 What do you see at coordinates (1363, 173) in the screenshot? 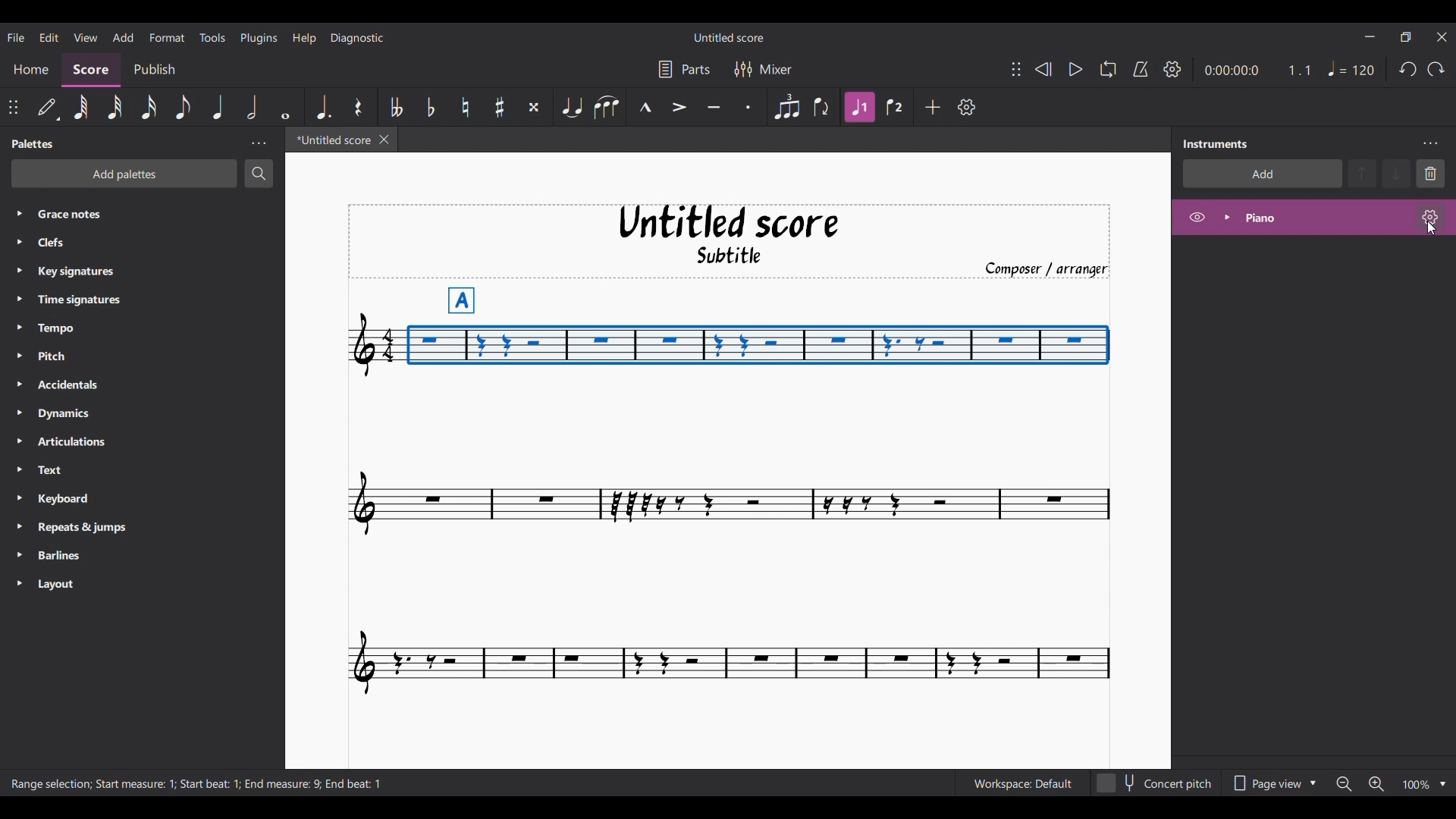
I see `Move instrument up` at bounding box center [1363, 173].